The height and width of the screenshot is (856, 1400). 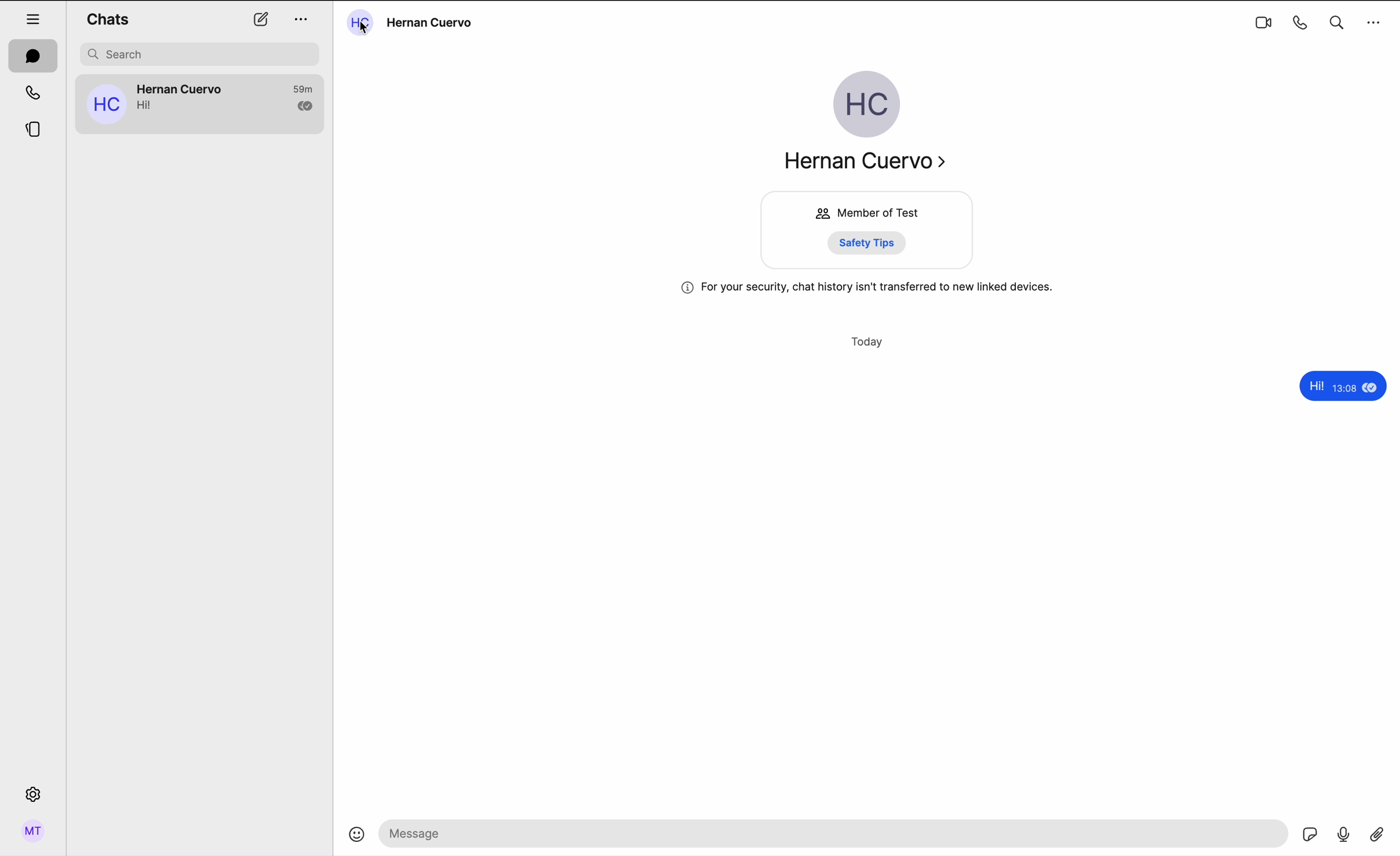 I want to click on cursor, so click(x=366, y=33).